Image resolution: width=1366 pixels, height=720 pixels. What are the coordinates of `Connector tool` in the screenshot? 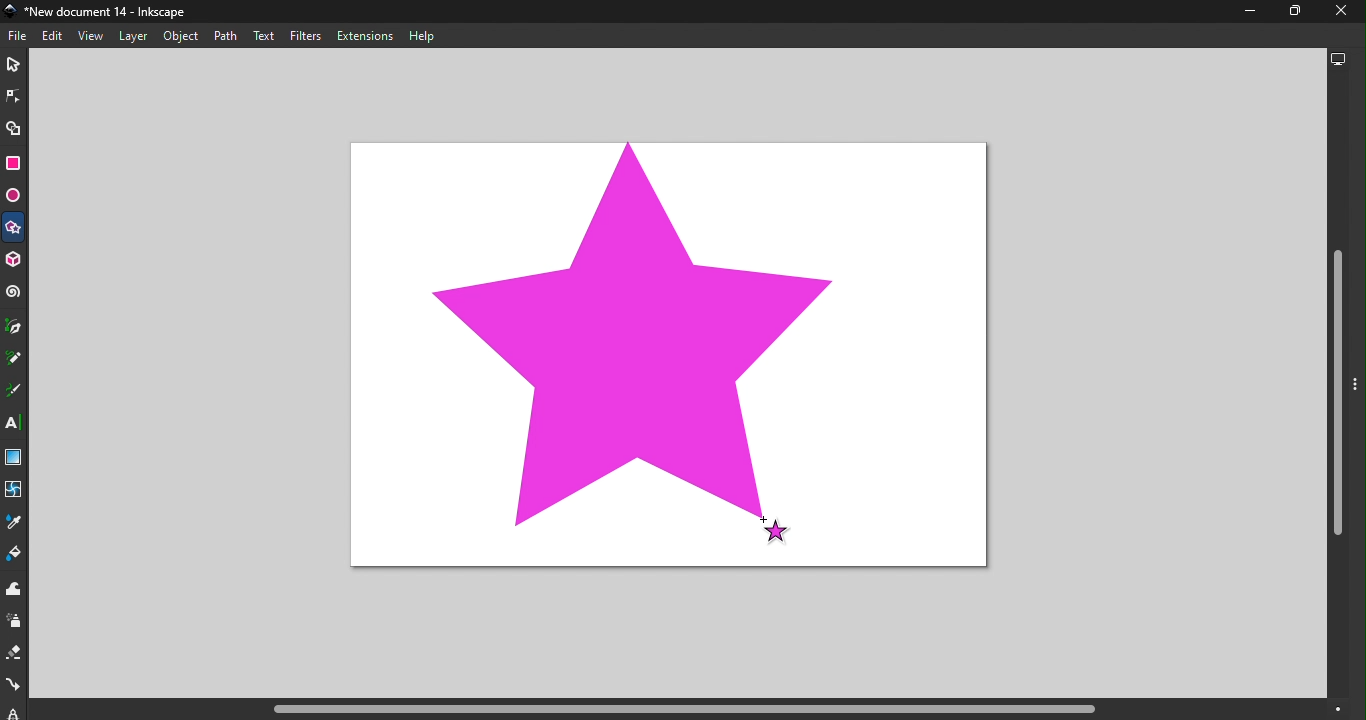 It's located at (15, 687).